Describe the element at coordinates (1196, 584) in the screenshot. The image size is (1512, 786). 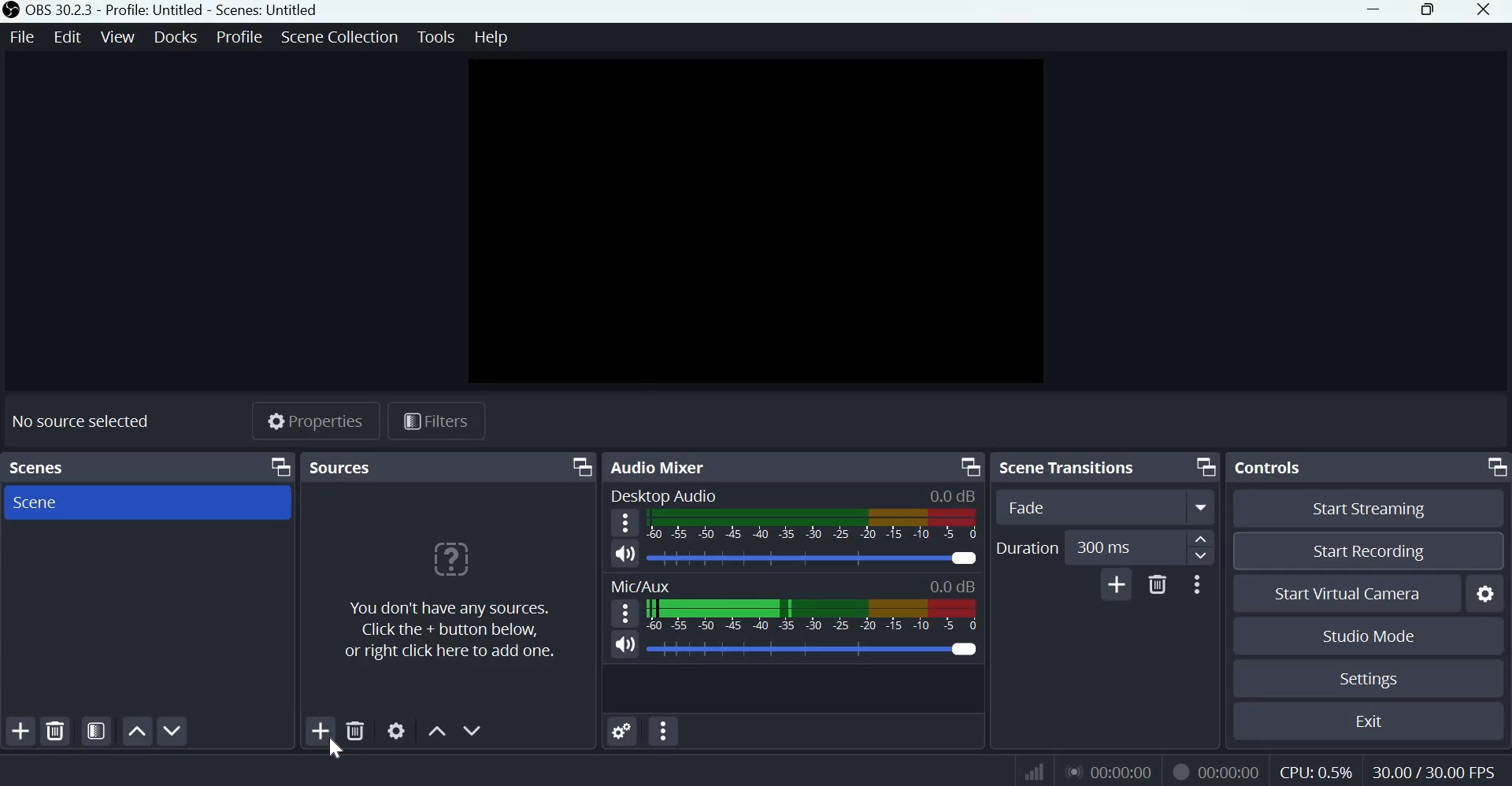
I see `More Options ` at that location.